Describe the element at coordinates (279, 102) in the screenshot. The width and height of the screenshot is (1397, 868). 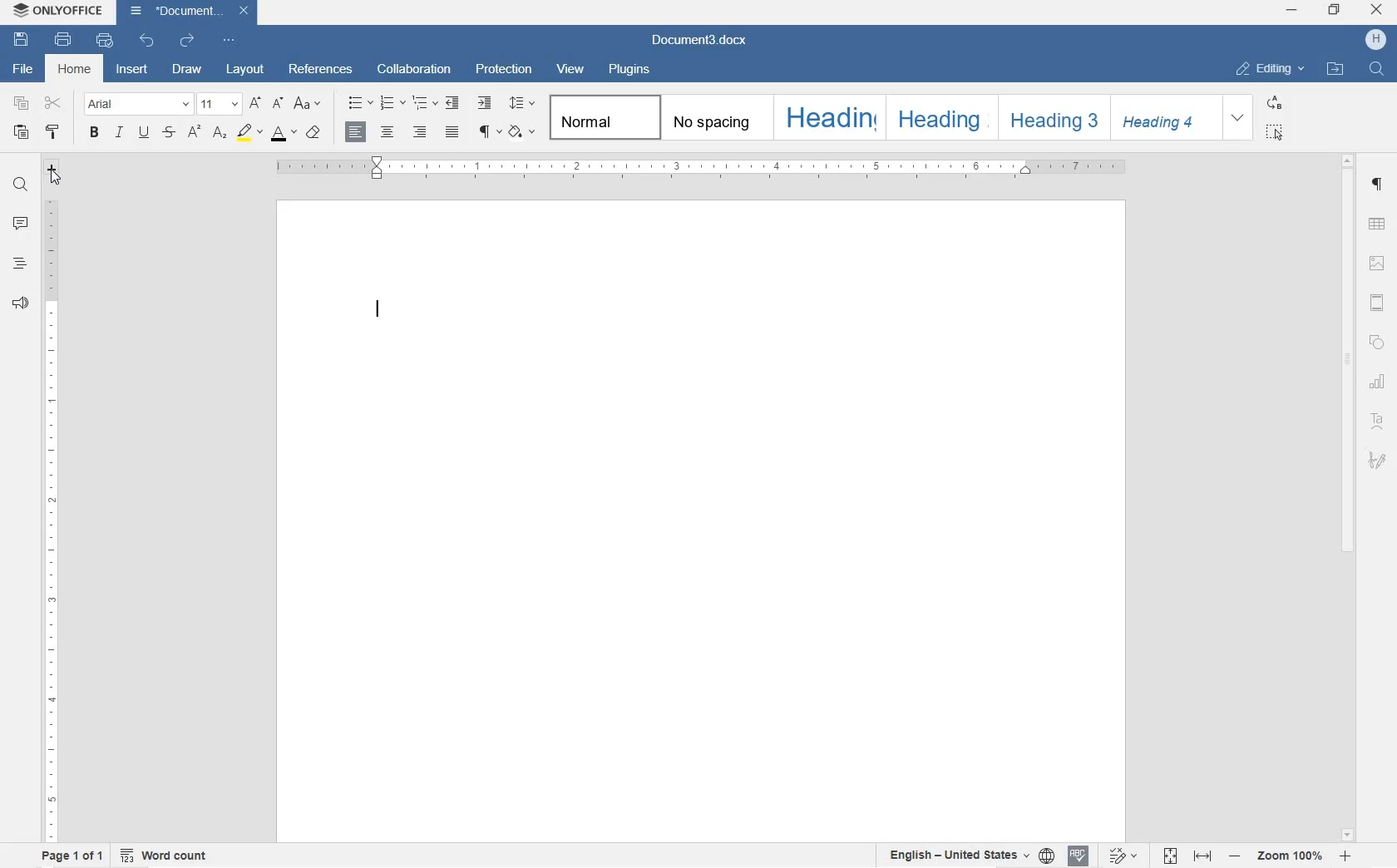
I see `DECREMENT FONT SIZE` at that location.